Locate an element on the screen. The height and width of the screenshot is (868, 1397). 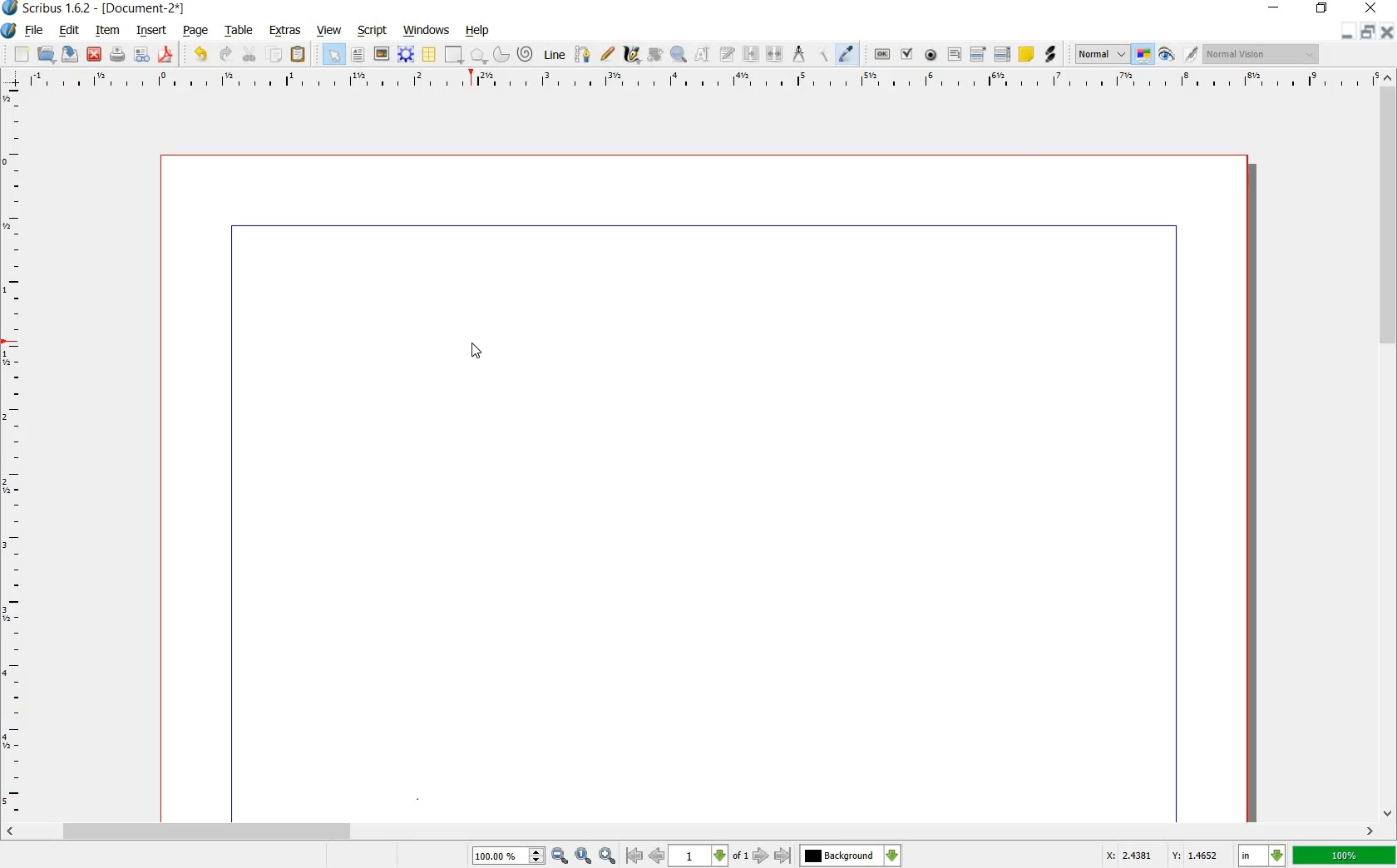
SAVE is located at coordinates (68, 54).